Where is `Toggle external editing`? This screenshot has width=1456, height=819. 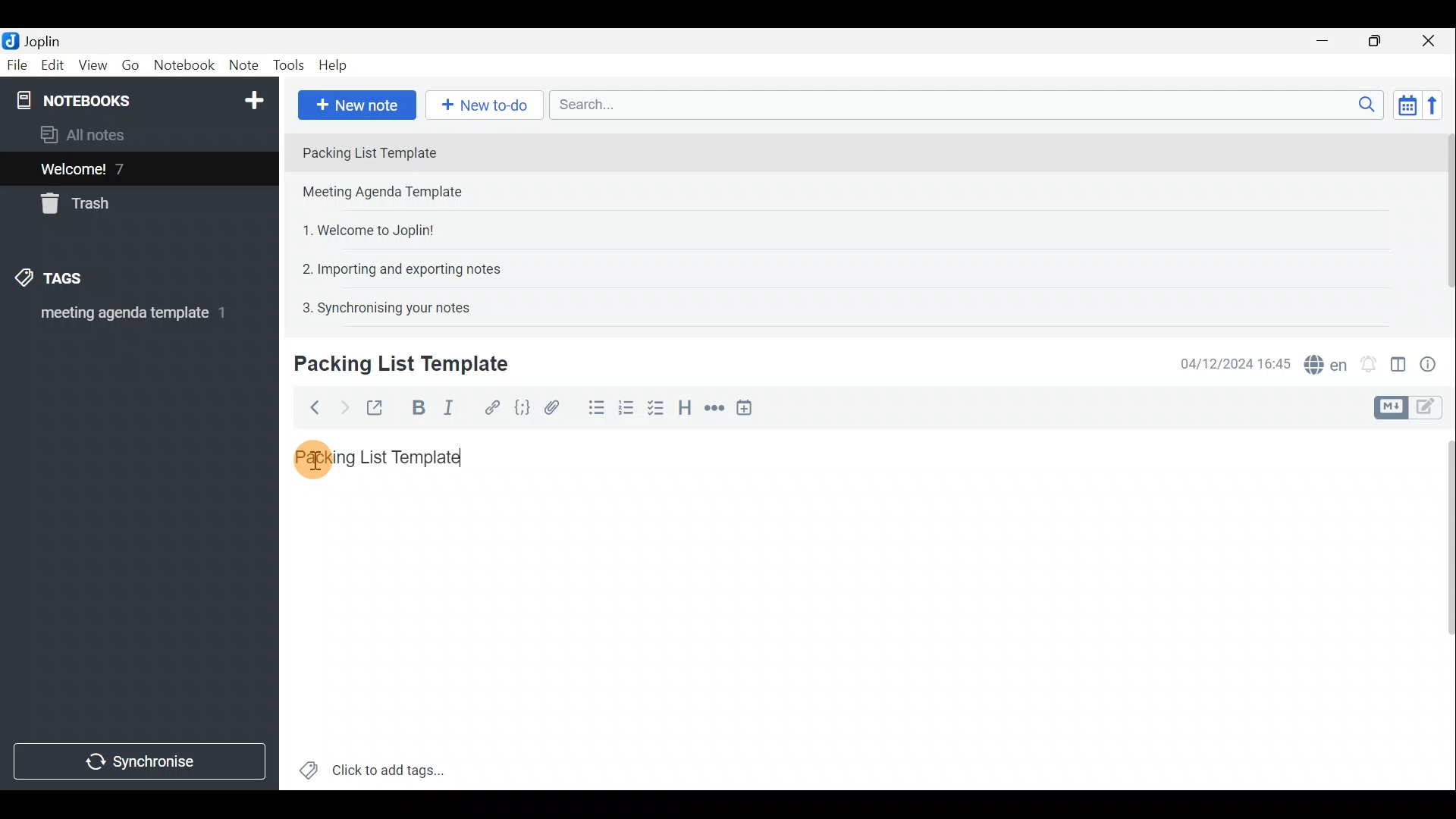
Toggle external editing is located at coordinates (376, 406).